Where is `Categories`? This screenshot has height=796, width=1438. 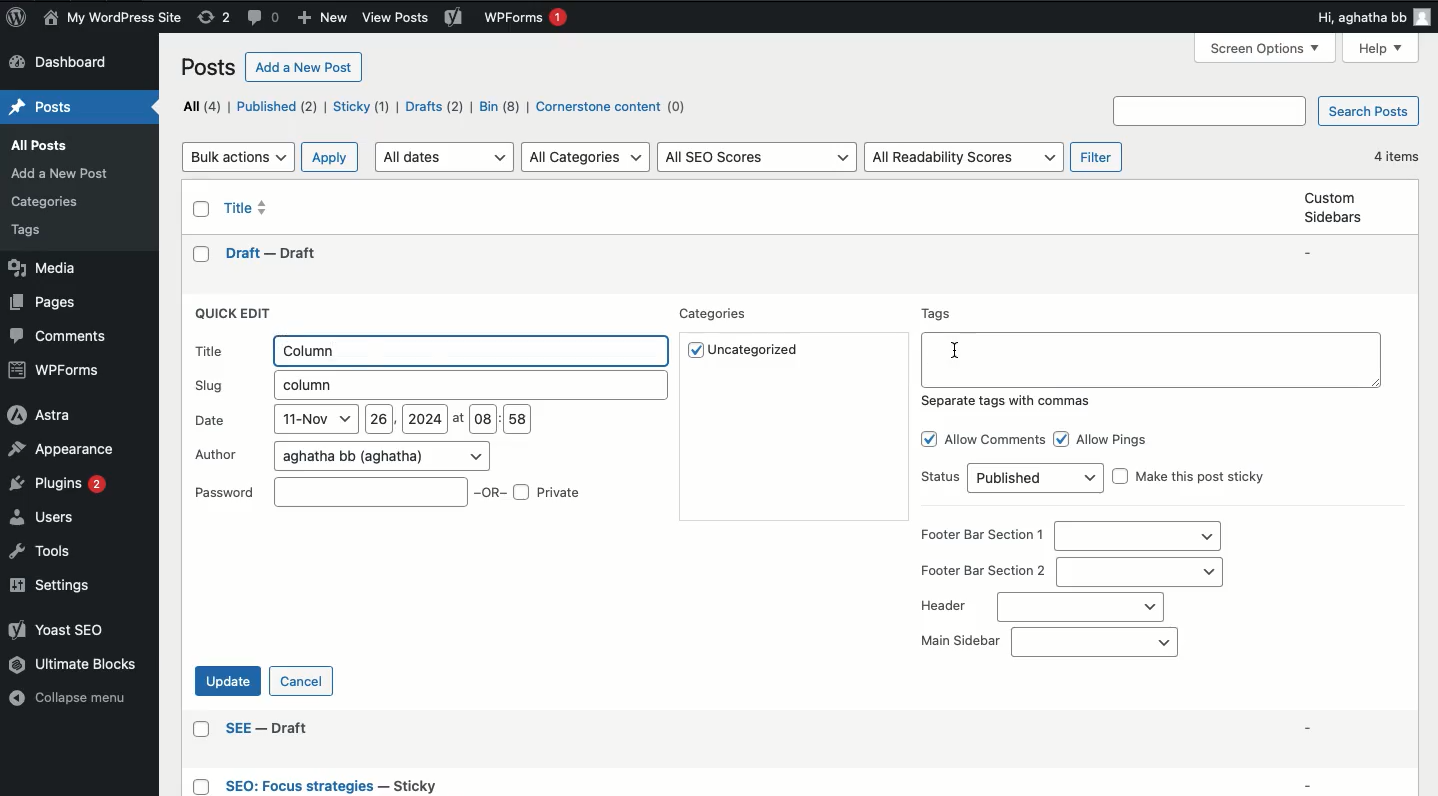 Categories is located at coordinates (715, 315).